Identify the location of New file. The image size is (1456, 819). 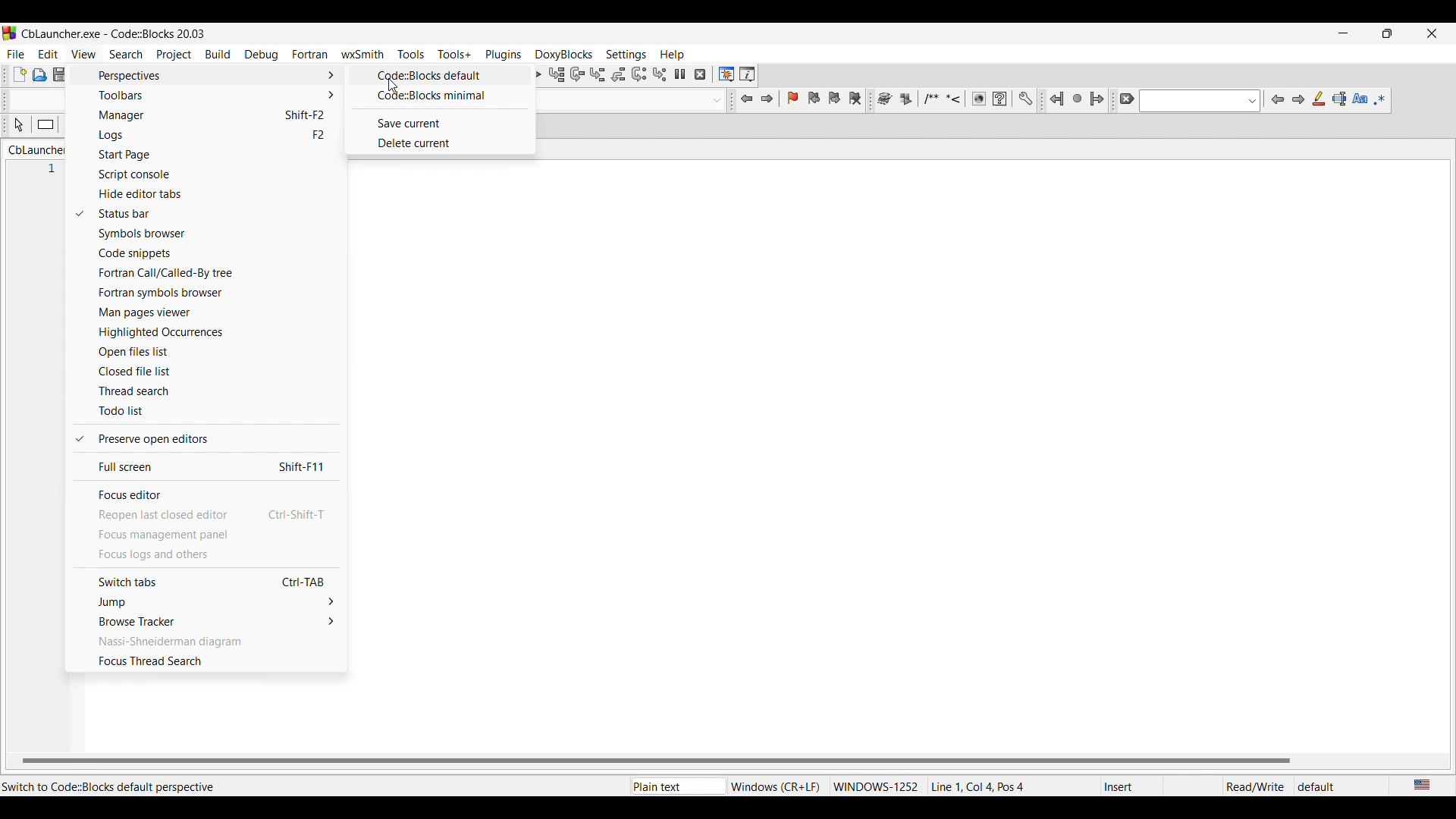
(20, 74).